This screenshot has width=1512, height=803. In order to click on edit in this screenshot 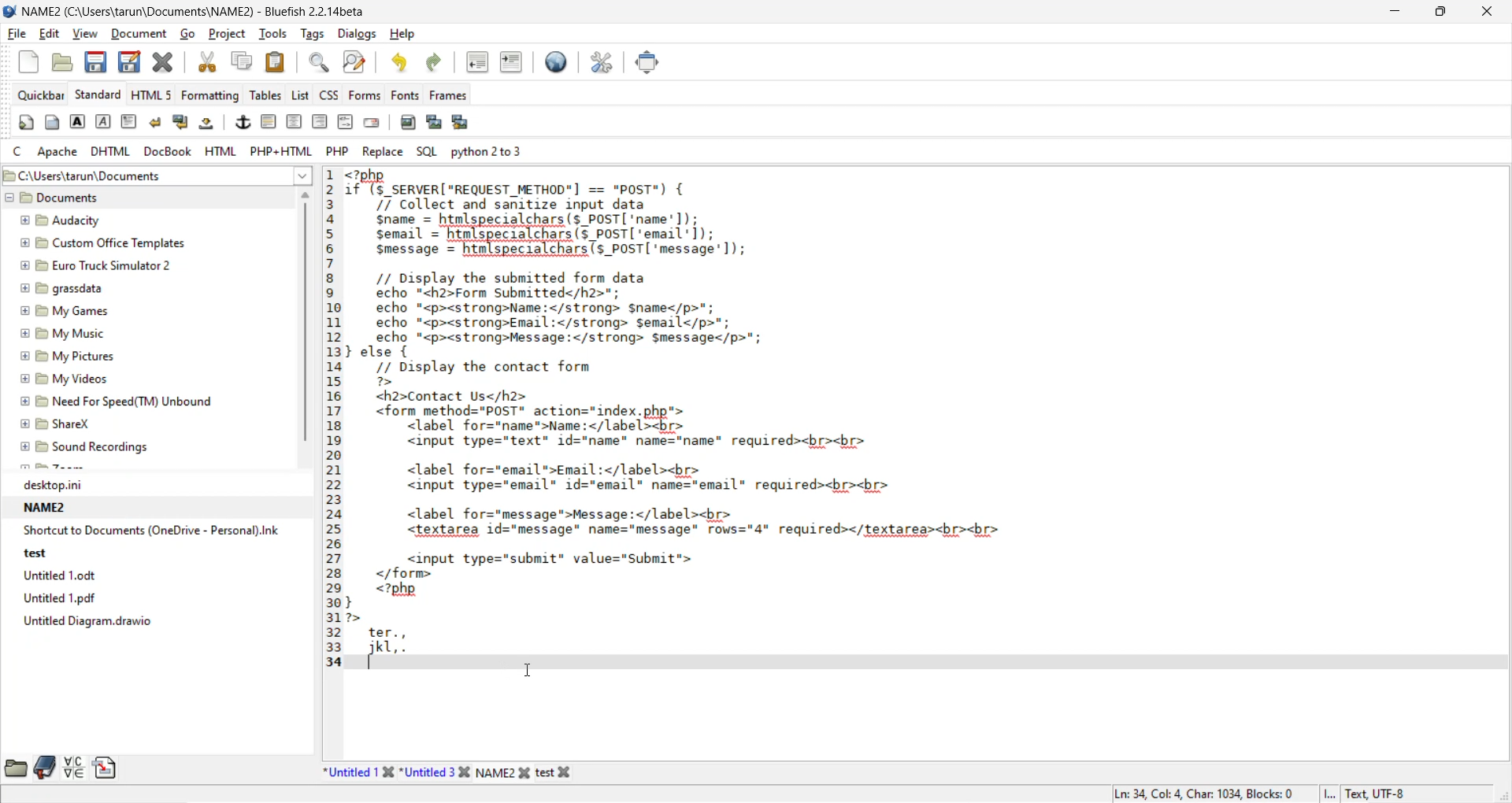, I will do `click(51, 35)`.